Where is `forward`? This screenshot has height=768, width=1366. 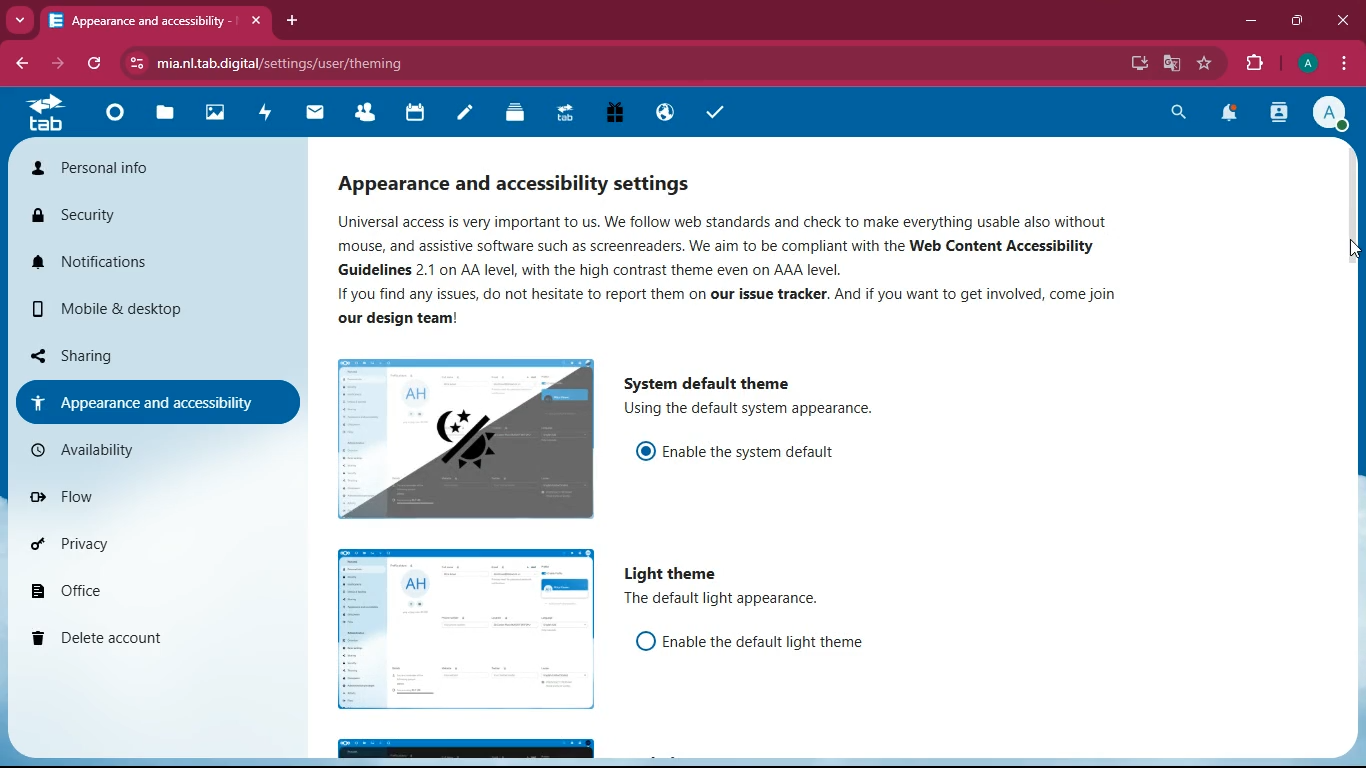
forward is located at coordinates (55, 62).